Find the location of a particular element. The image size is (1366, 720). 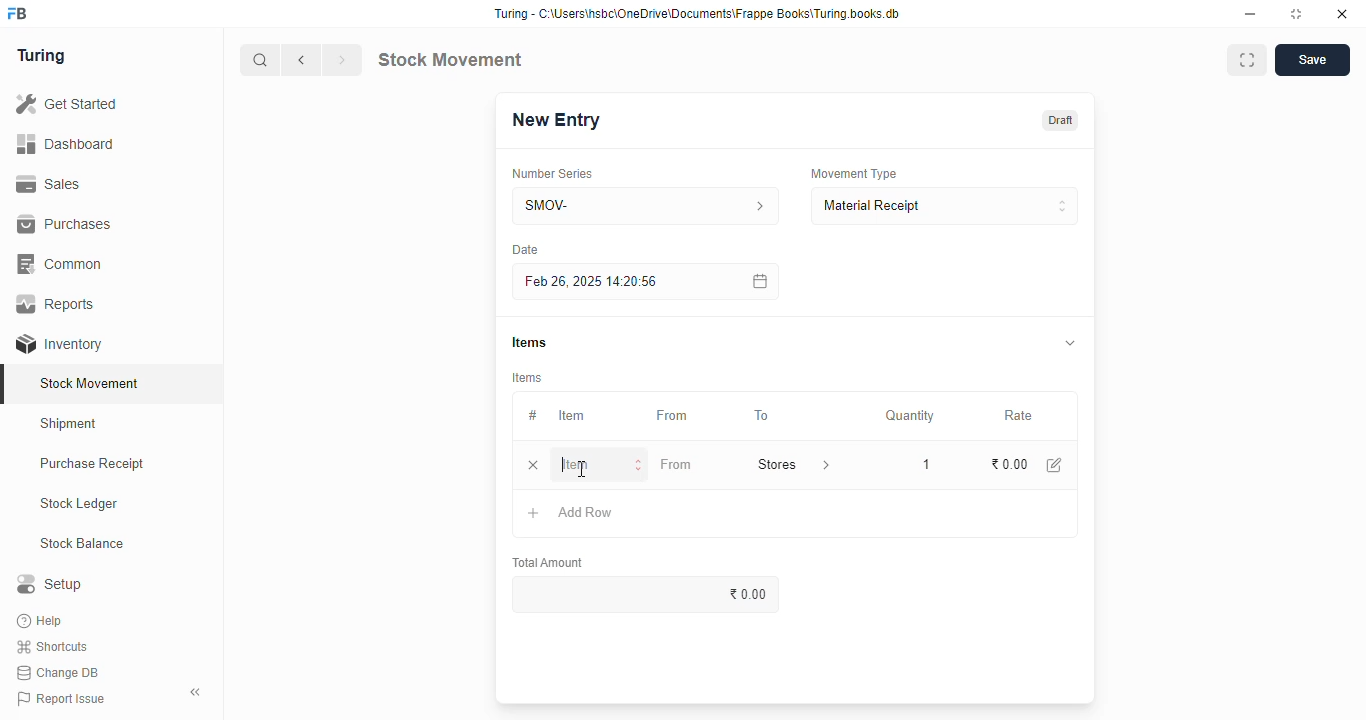

get started is located at coordinates (68, 104).